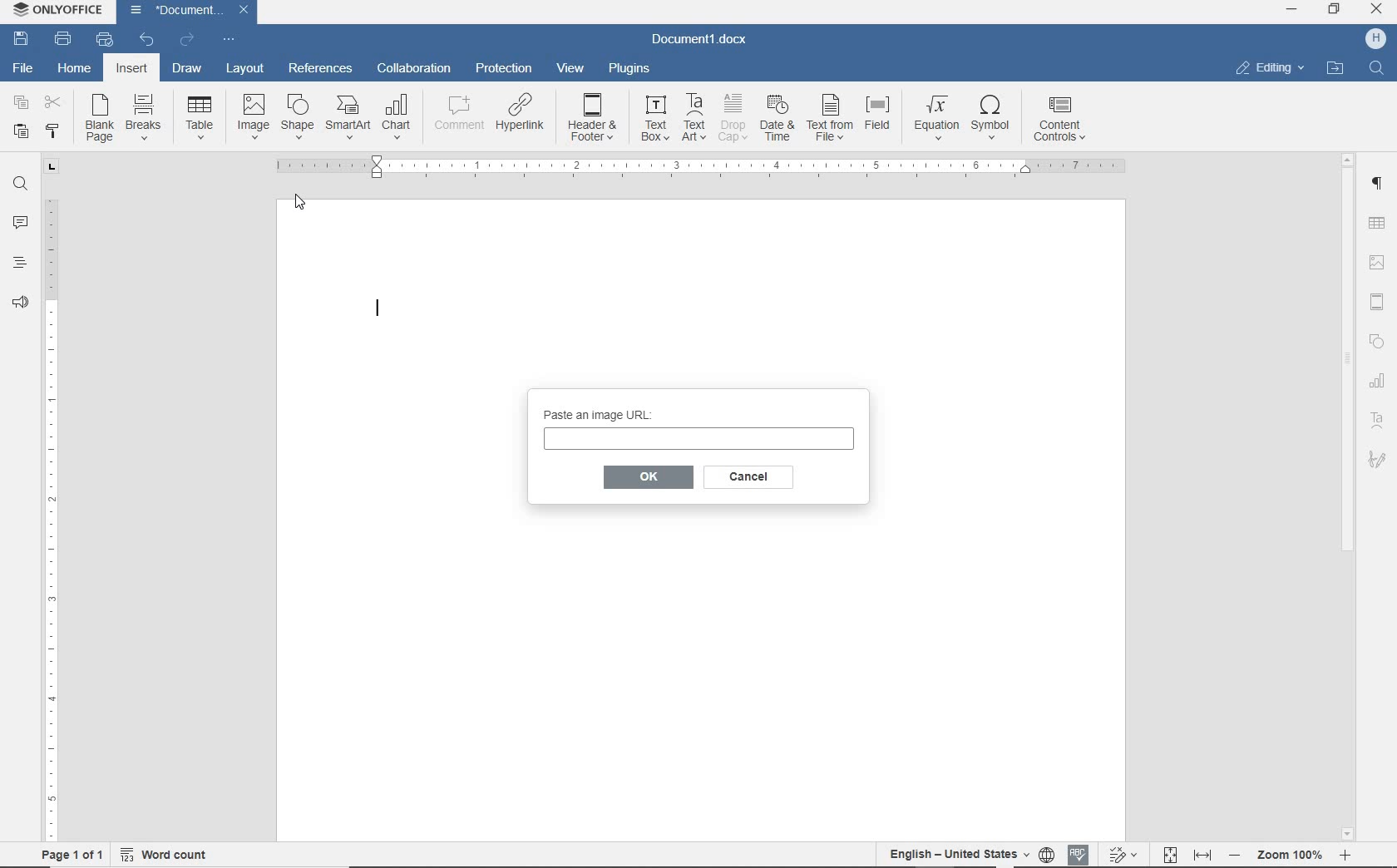 This screenshot has width=1397, height=868. Describe the element at coordinates (1380, 185) in the screenshot. I see `paragraph settings` at that location.